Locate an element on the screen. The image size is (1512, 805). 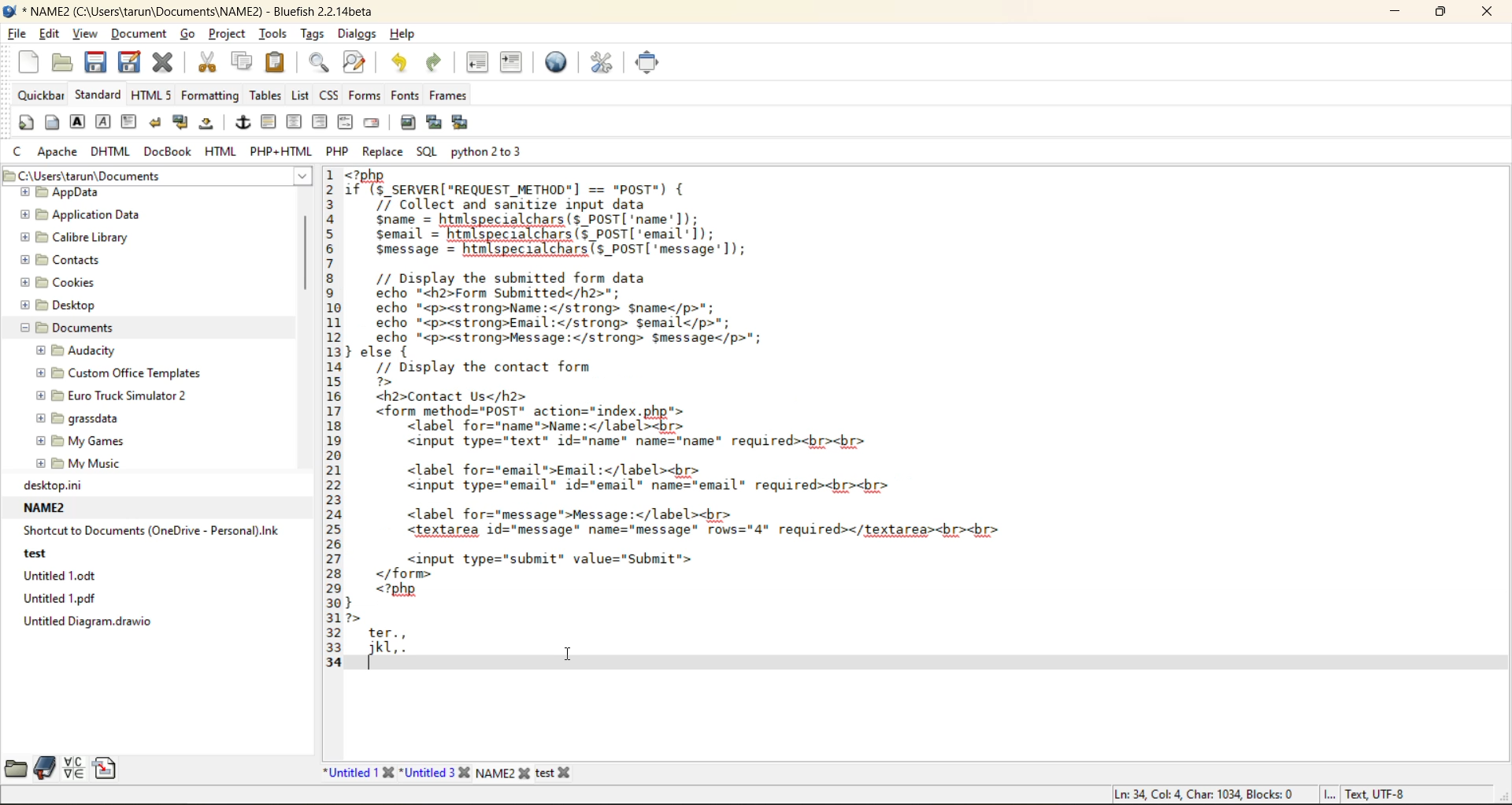
Untitled 3 is located at coordinates (437, 772).